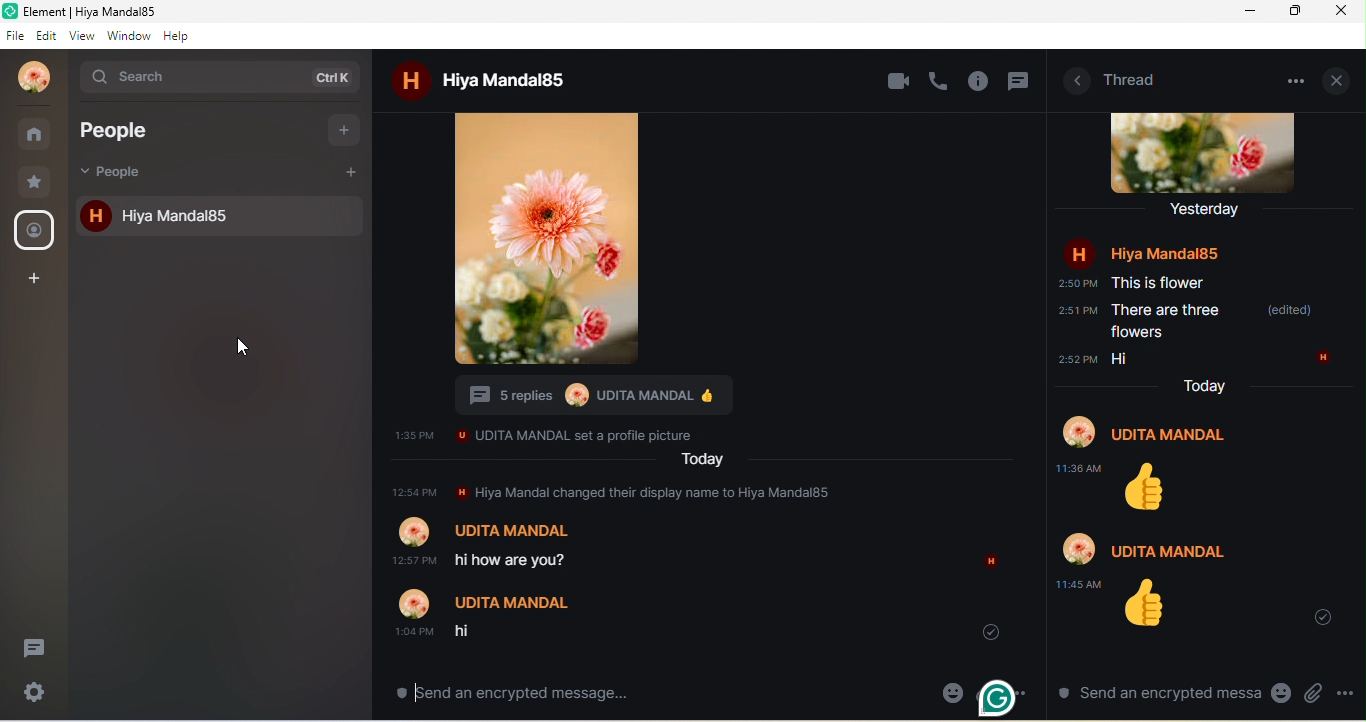 The width and height of the screenshot is (1366, 722). Describe the element at coordinates (35, 648) in the screenshot. I see `thread` at that location.